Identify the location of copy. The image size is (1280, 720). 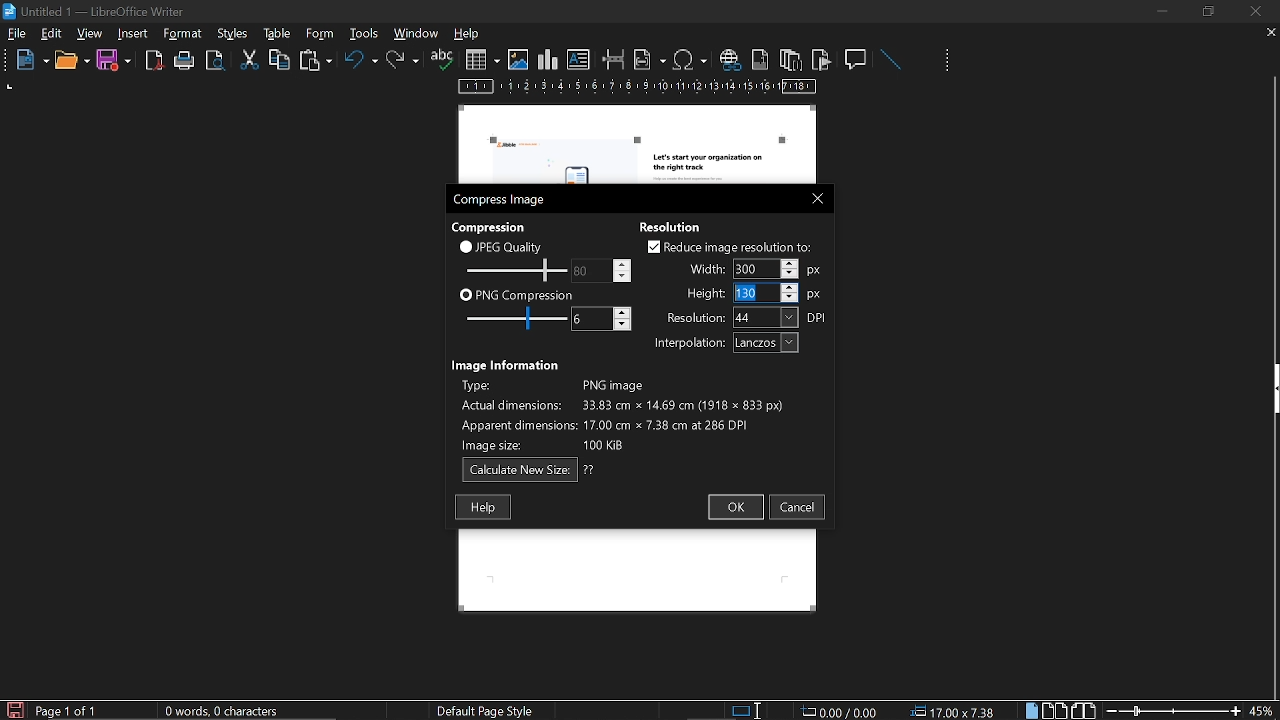
(279, 59).